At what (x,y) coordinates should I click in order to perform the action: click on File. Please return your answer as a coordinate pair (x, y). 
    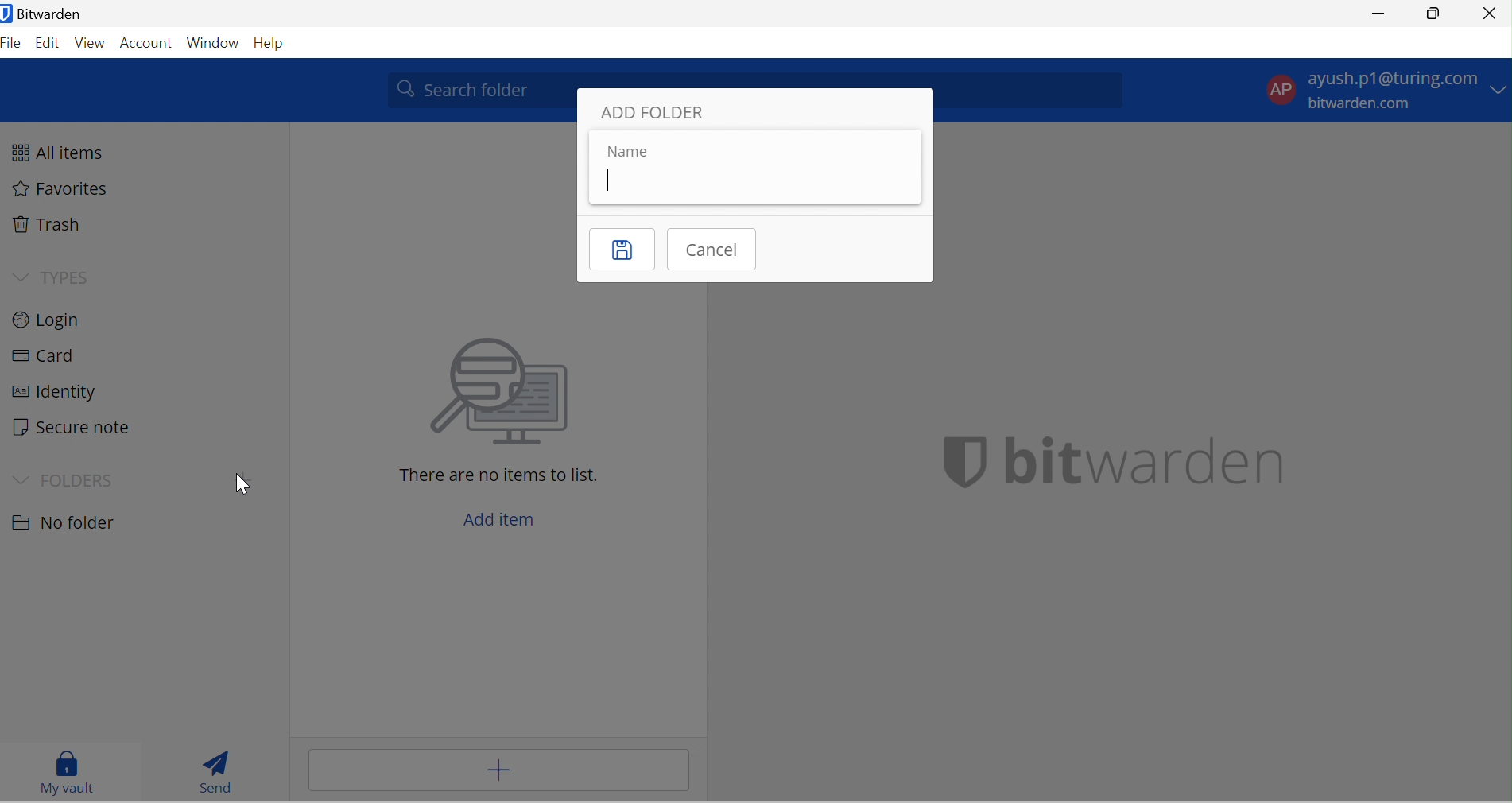
    Looking at the image, I should click on (14, 44).